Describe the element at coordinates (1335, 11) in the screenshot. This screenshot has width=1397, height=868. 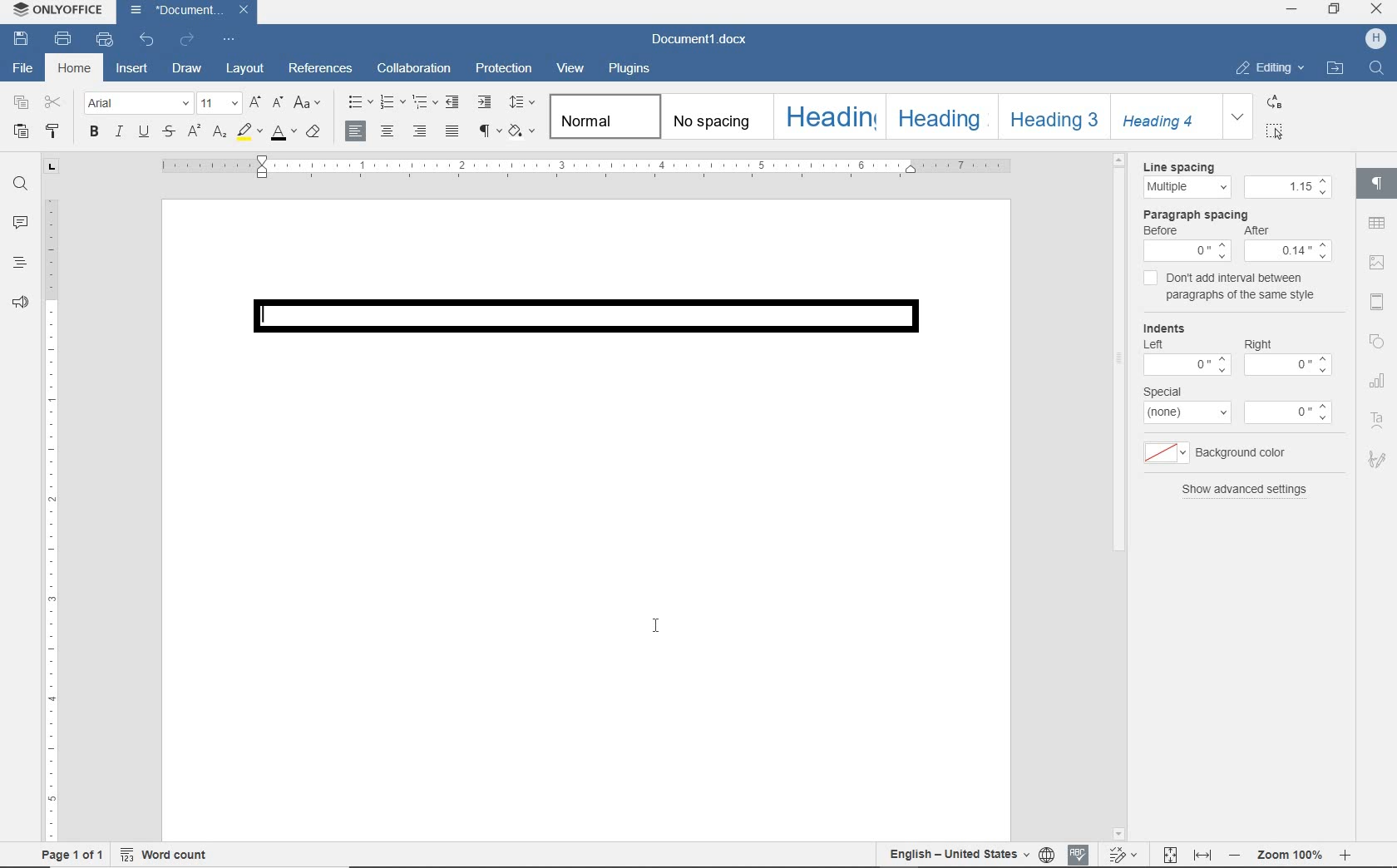
I see `RESTORE` at that location.